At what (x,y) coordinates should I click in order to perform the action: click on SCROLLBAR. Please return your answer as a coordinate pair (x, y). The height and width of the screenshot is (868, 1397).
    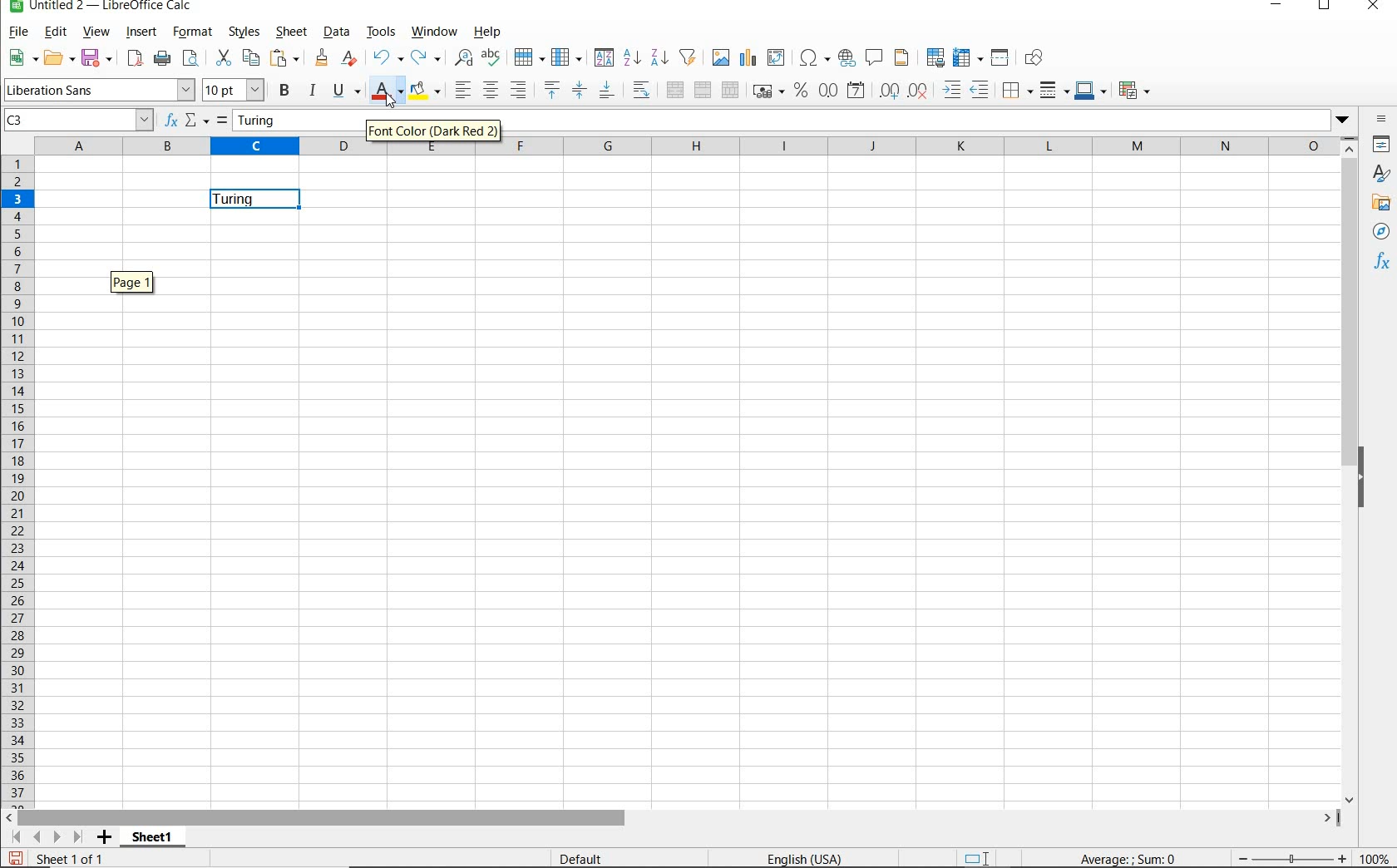
    Looking at the image, I should click on (1347, 472).